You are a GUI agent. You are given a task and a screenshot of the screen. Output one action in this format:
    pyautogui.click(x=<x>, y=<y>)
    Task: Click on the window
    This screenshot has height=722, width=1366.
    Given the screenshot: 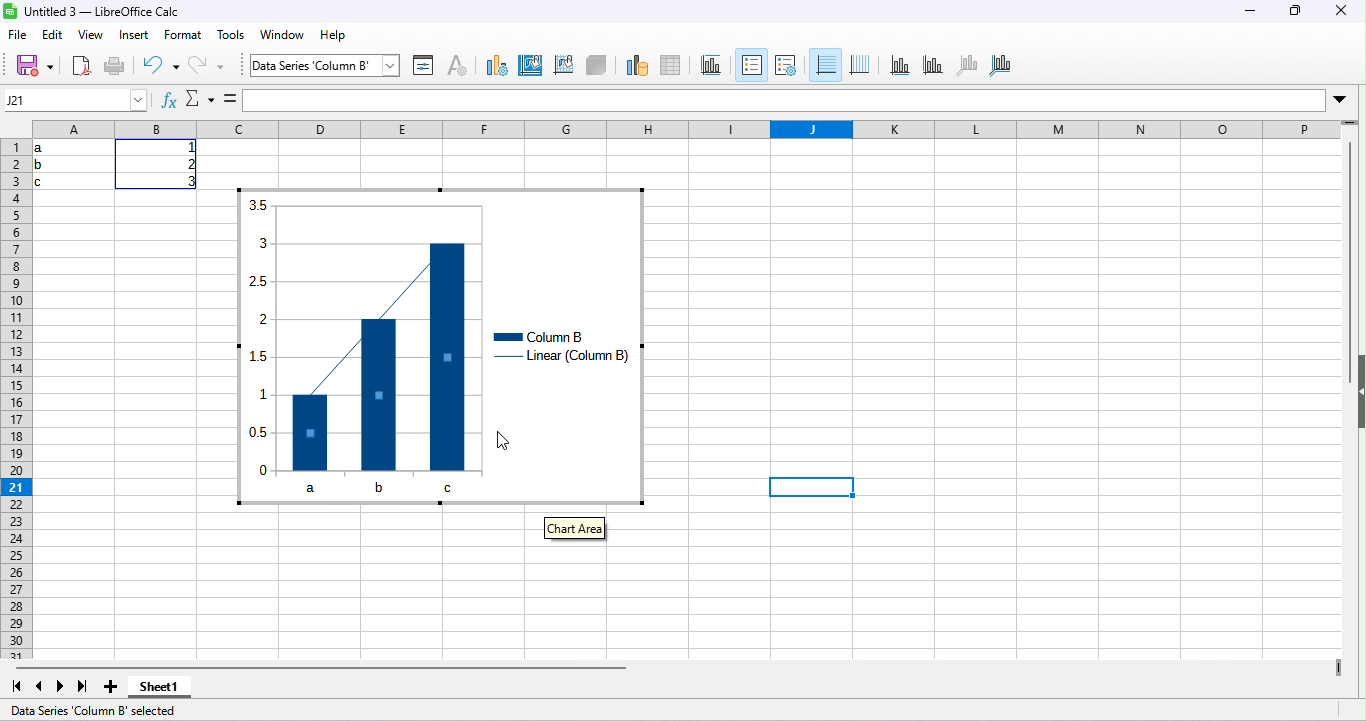 What is the action you would take?
    pyautogui.click(x=286, y=37)
    